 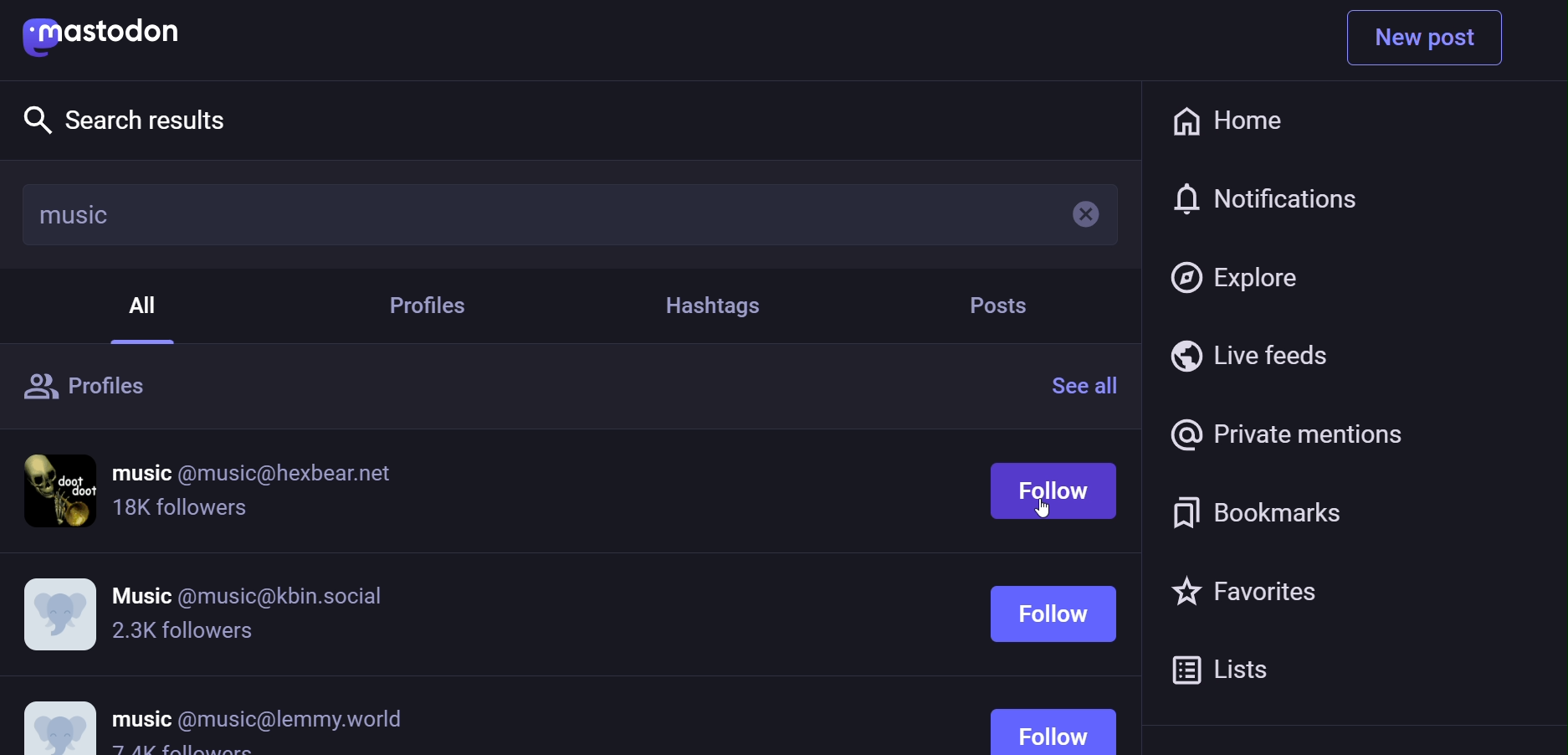 I want to click on mastodon, so click(x=110, y=33).